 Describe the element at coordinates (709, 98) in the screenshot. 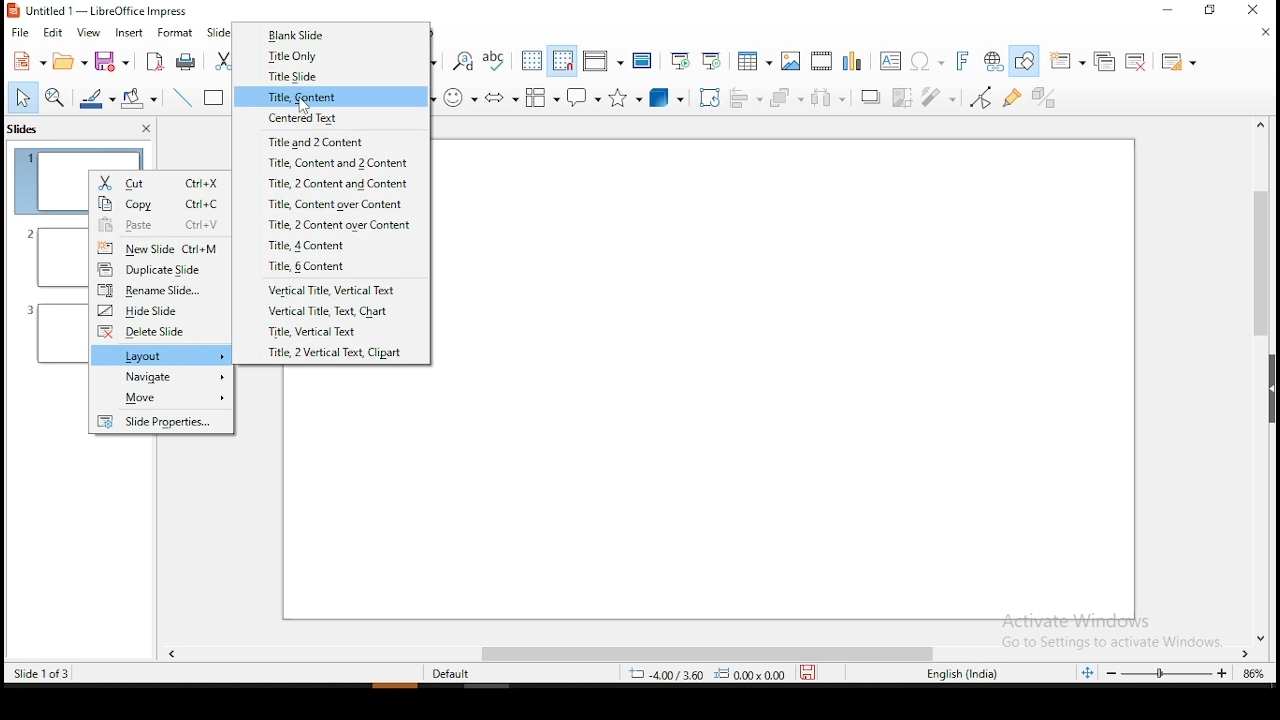

I see `rotate` at that location.